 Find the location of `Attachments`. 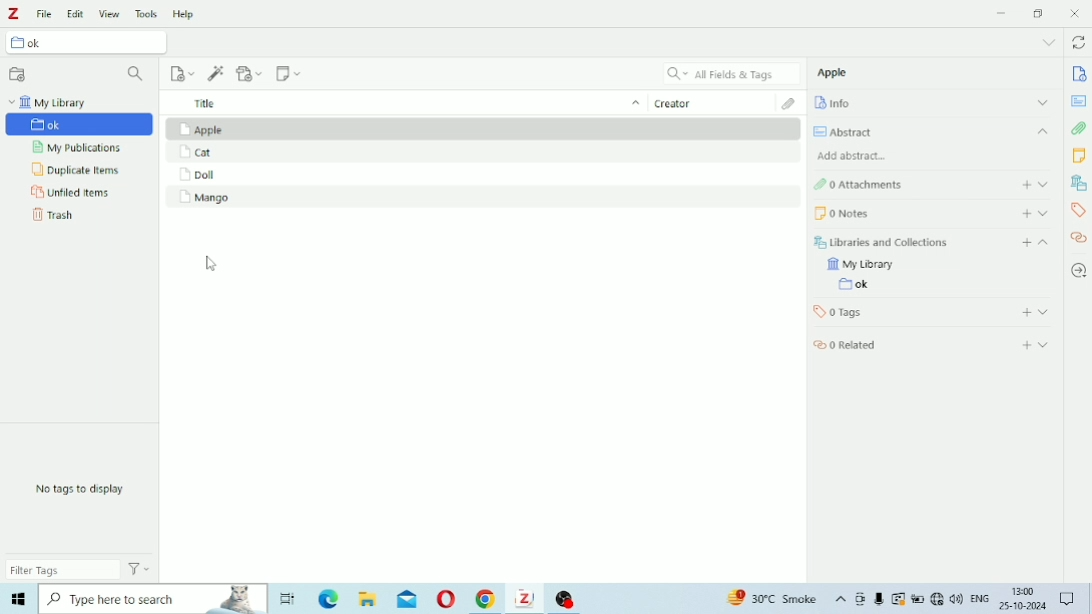

Attachments is located at coordinates (1078, 128).